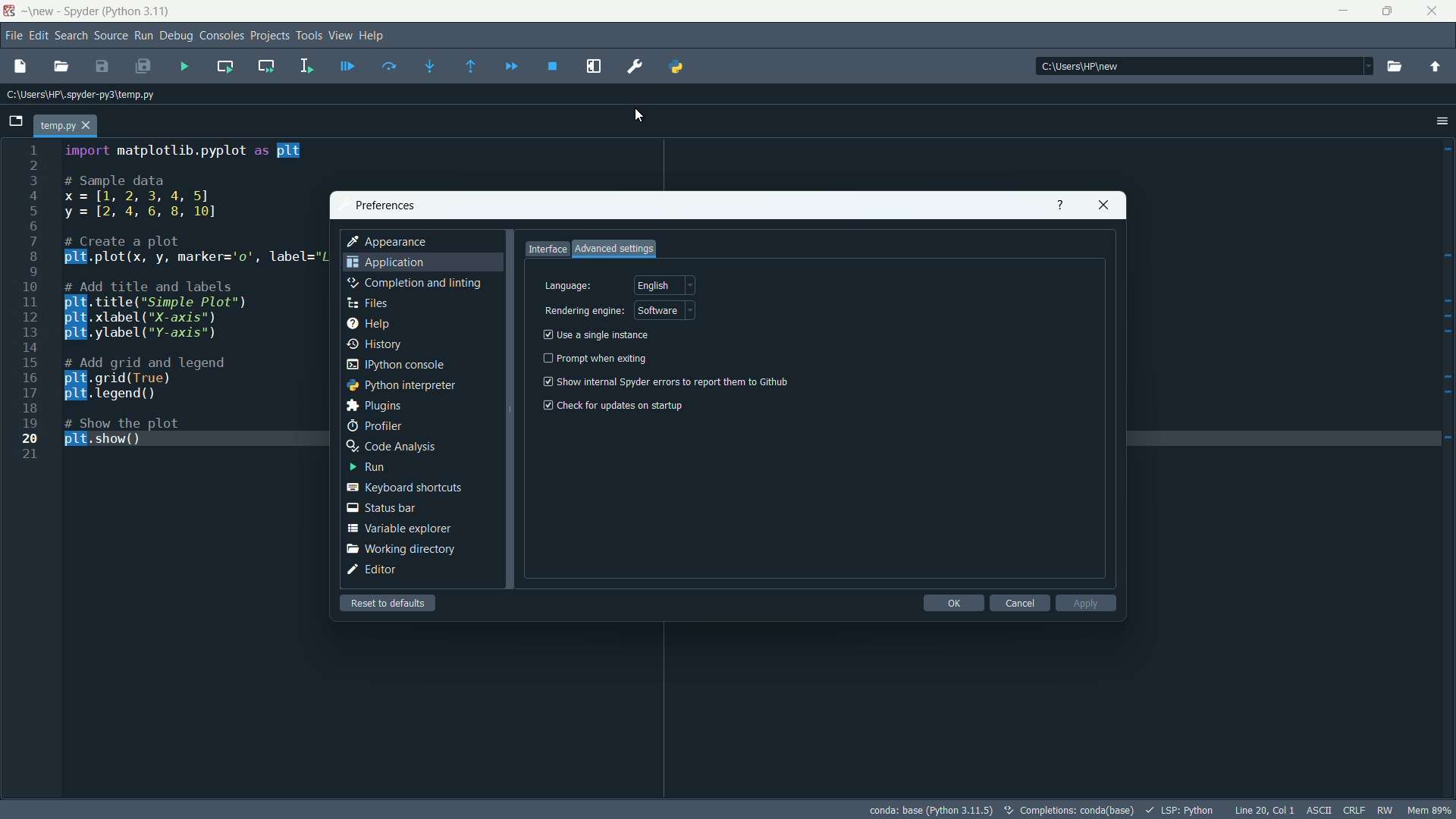 The image size is (1456, 819). I want to click on parent directory, so click(1436, 67).